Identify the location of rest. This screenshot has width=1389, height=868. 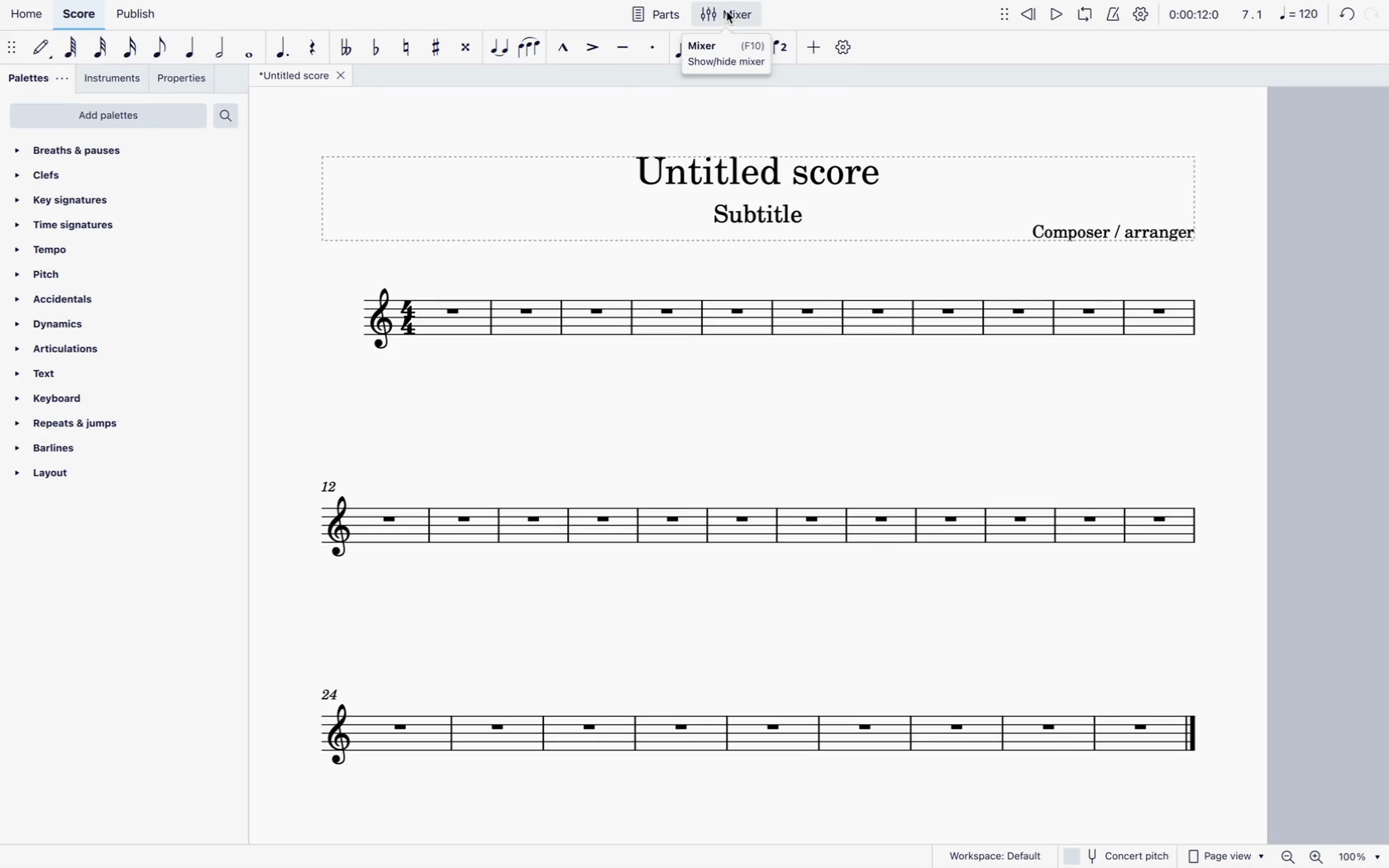
(312, 43).